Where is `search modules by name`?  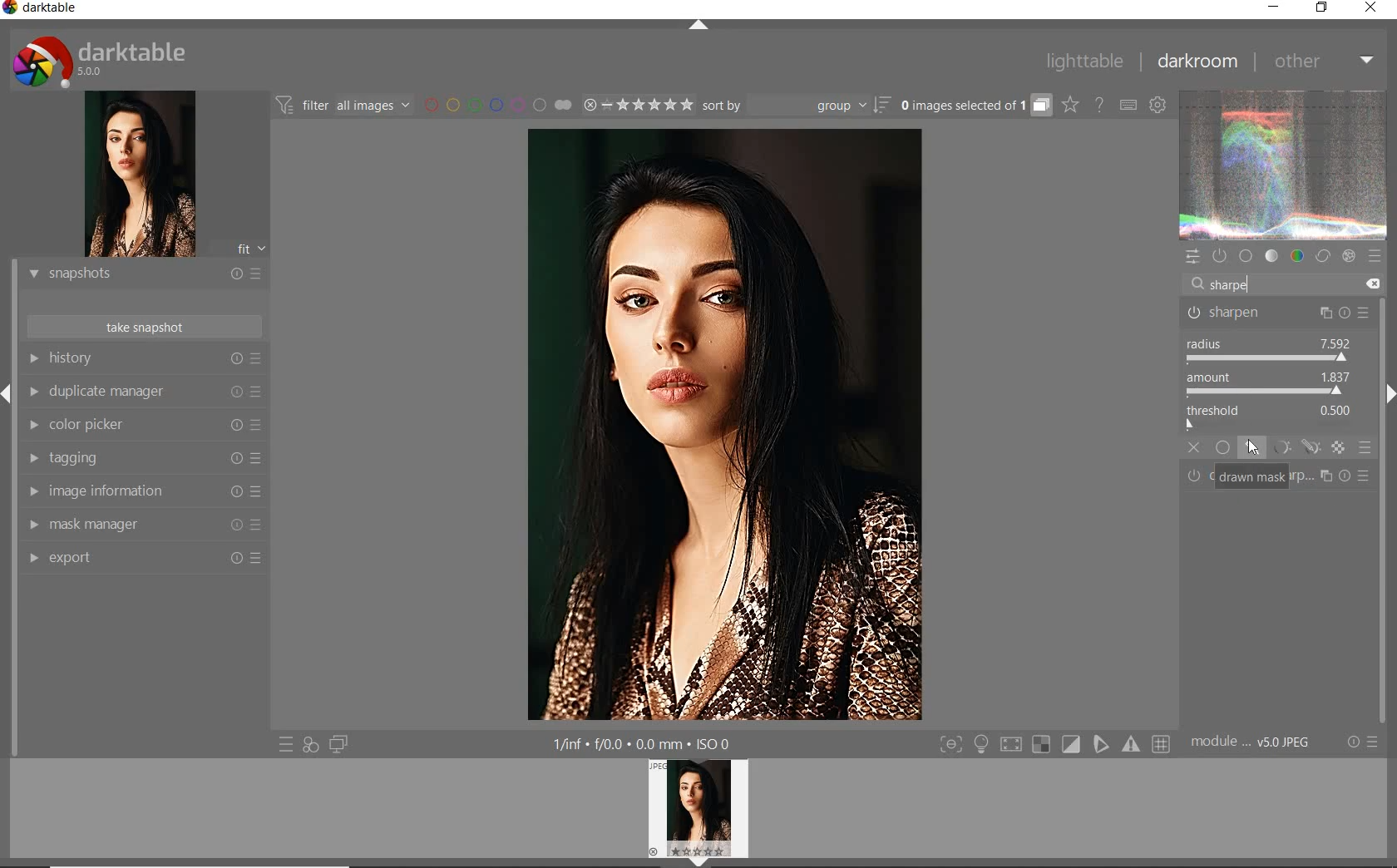
search modules by name is located at coordinates (1284, 284).